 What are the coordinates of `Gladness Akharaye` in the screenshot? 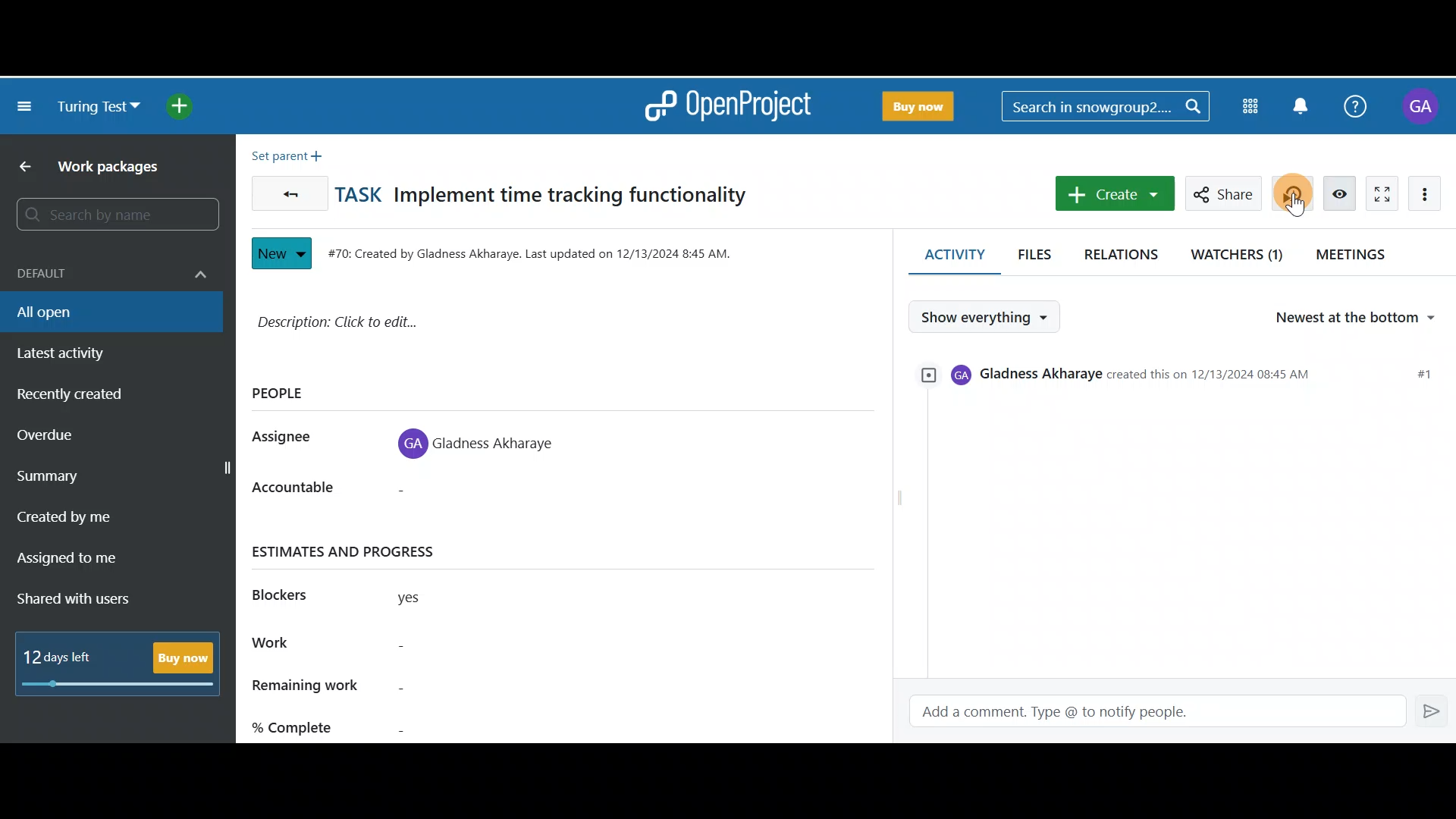 It's located at (484, 439).